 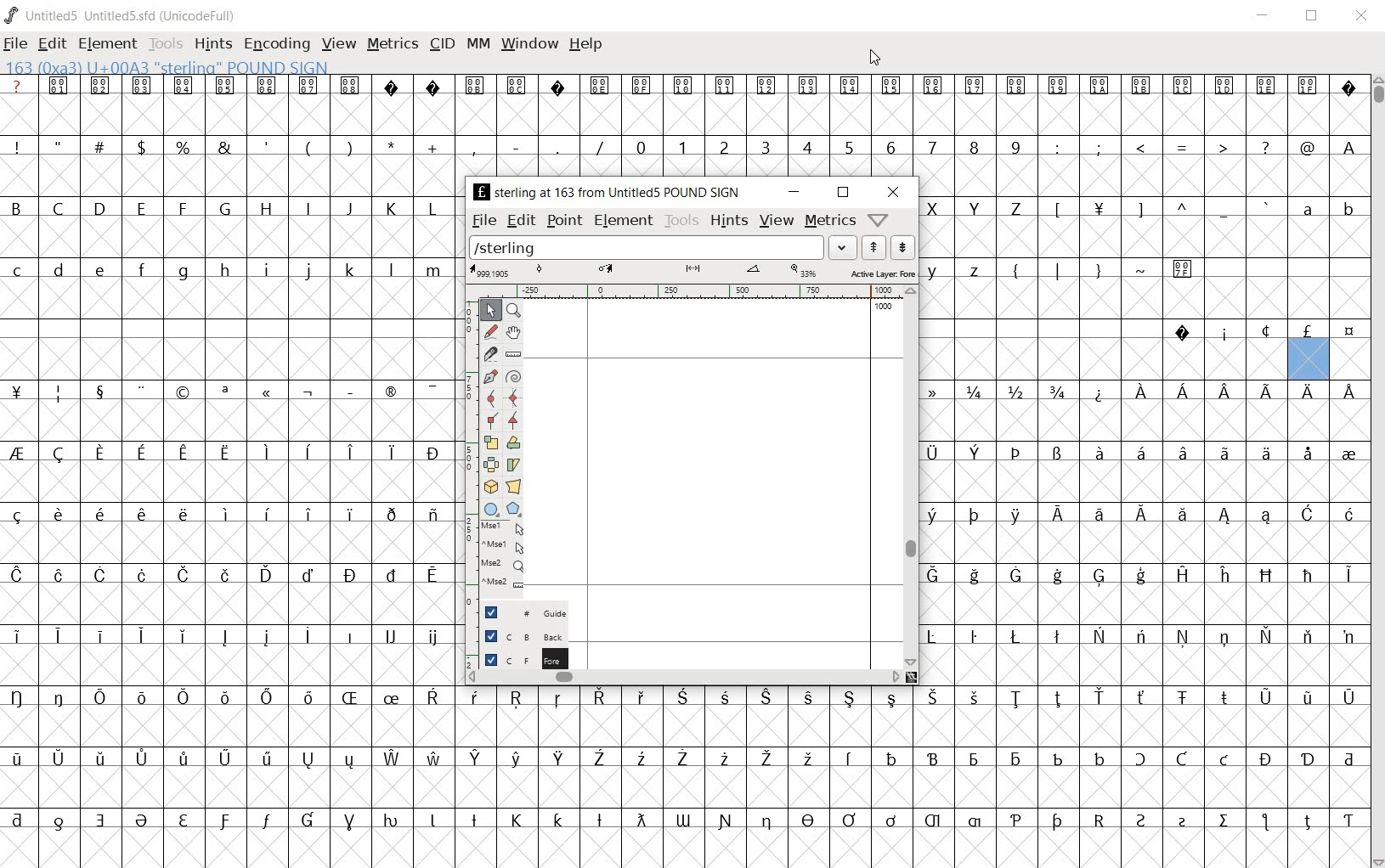 I want to click on <, so click(x=1139, y=148).